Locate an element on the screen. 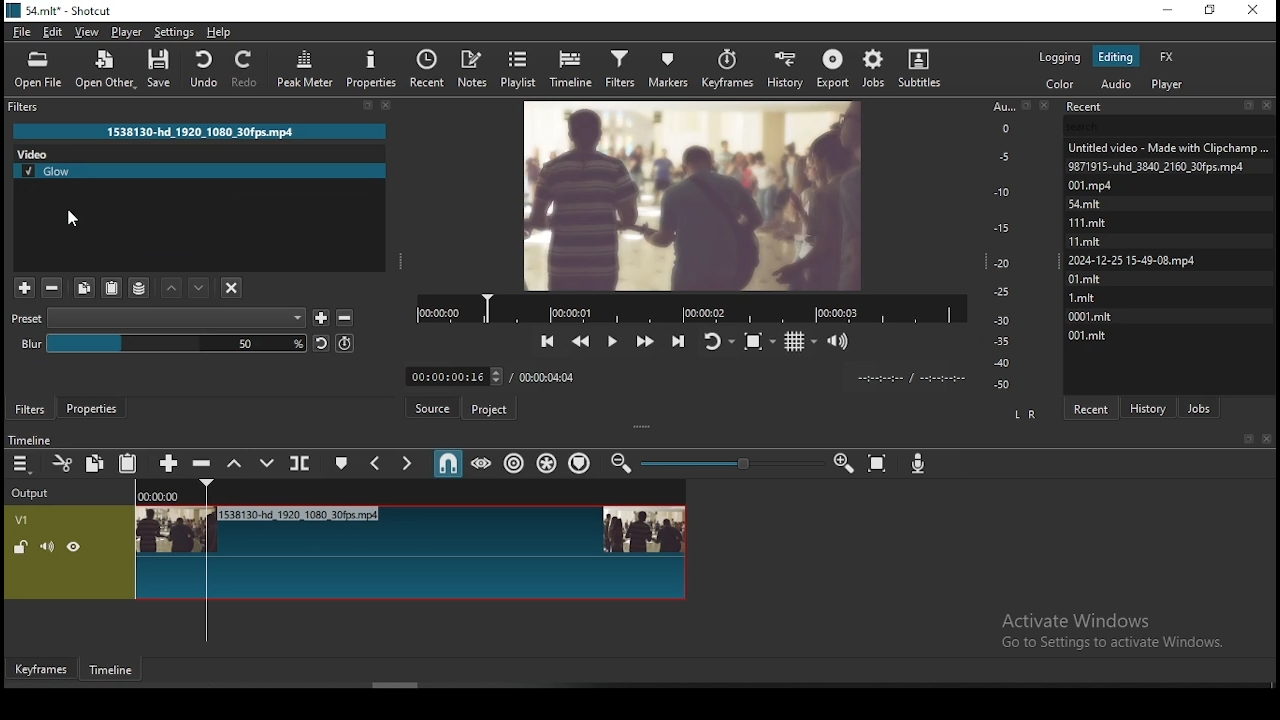  1.mlt is located at coordinates (1086, 297).